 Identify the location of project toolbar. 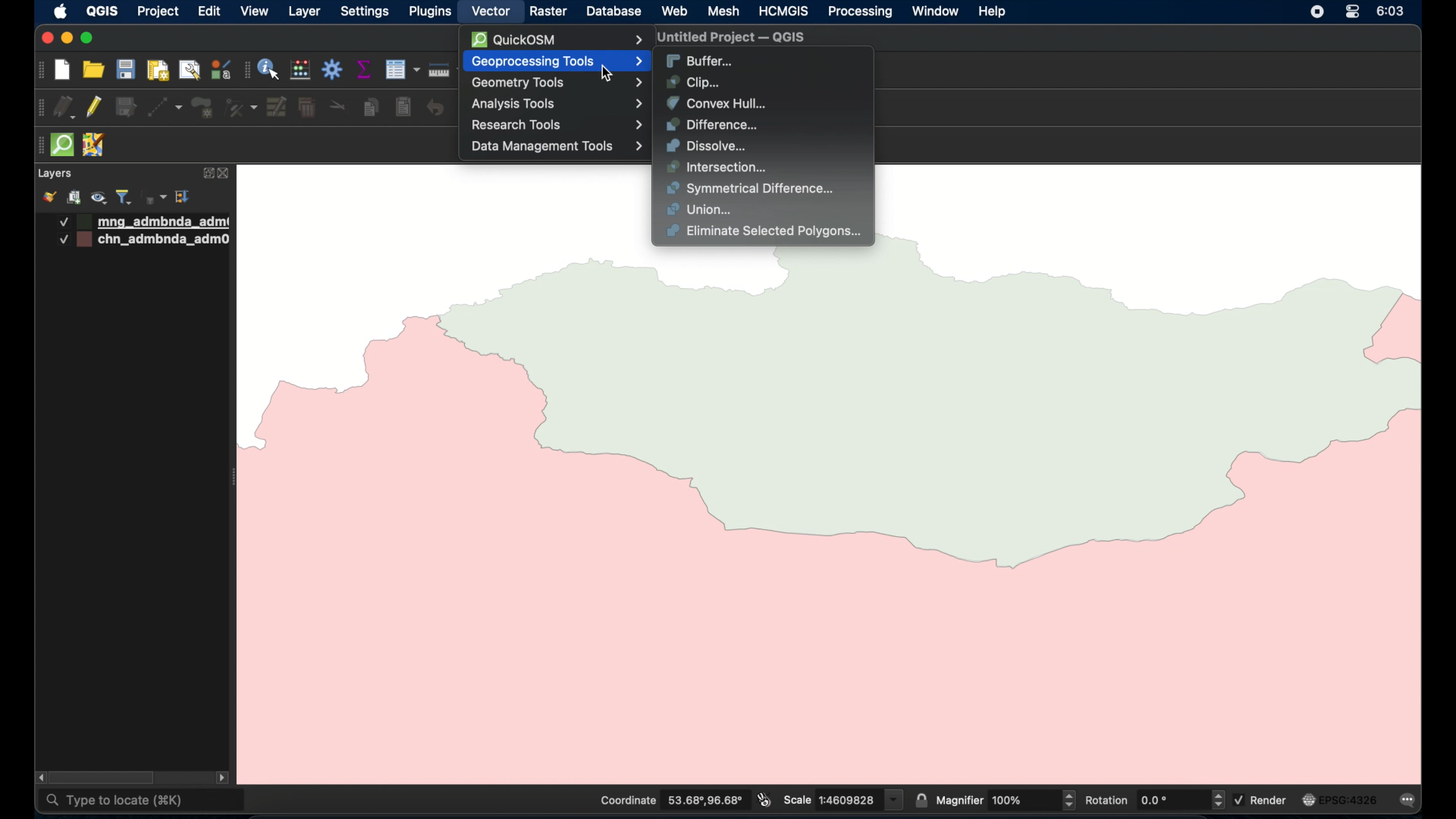
(39, 71).